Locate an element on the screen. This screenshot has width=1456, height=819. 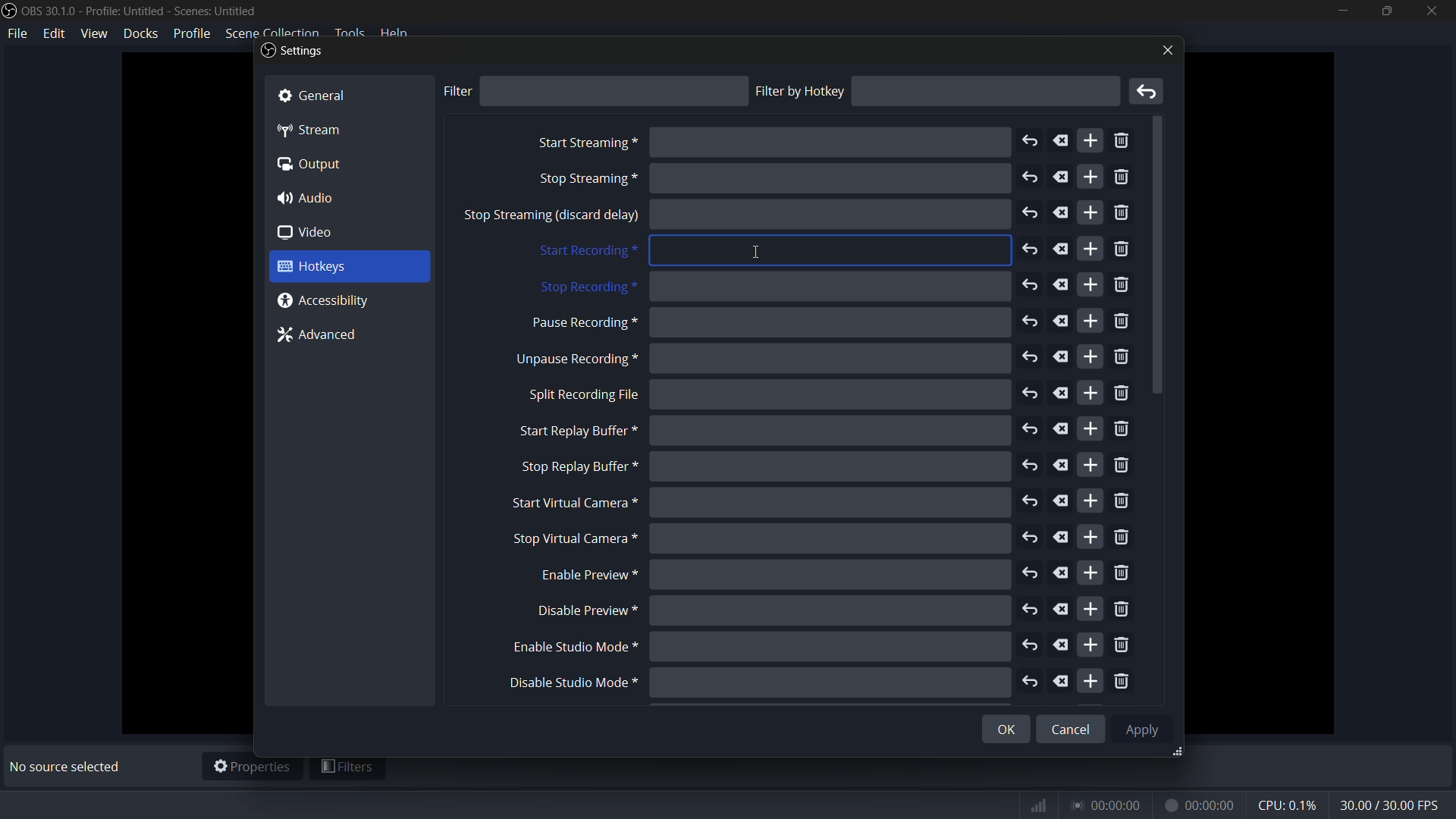
0 video is located at coordinates (316, 233).